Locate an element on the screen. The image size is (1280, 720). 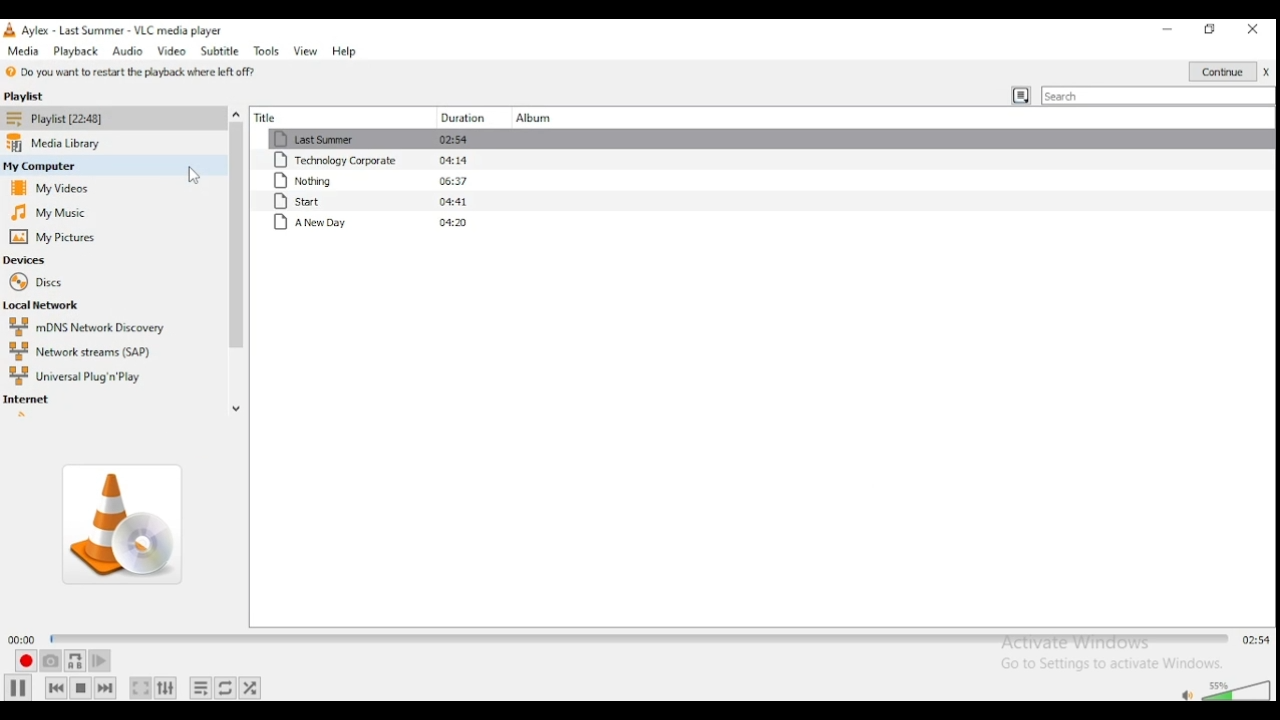
title is located at coordinates (322, 118).